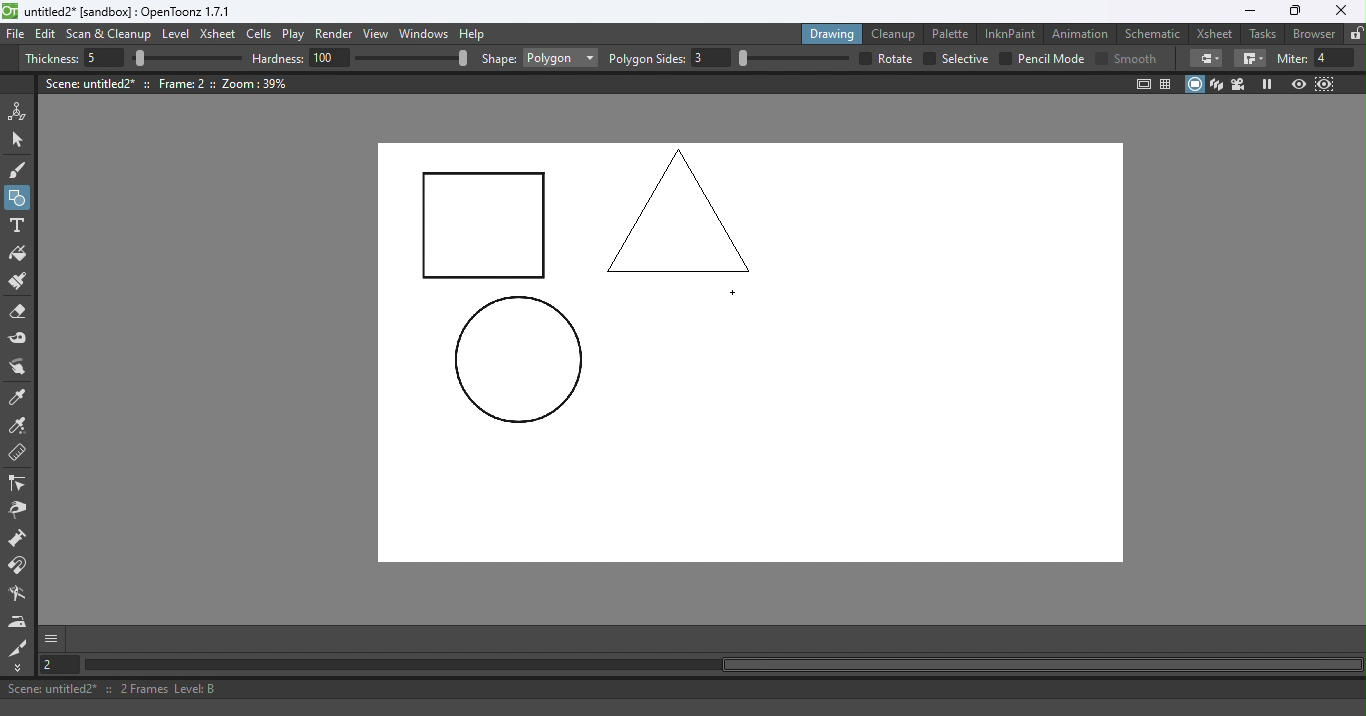 This screenshot has width=1366, height=716. I want to click on More options, so click(51, 638).